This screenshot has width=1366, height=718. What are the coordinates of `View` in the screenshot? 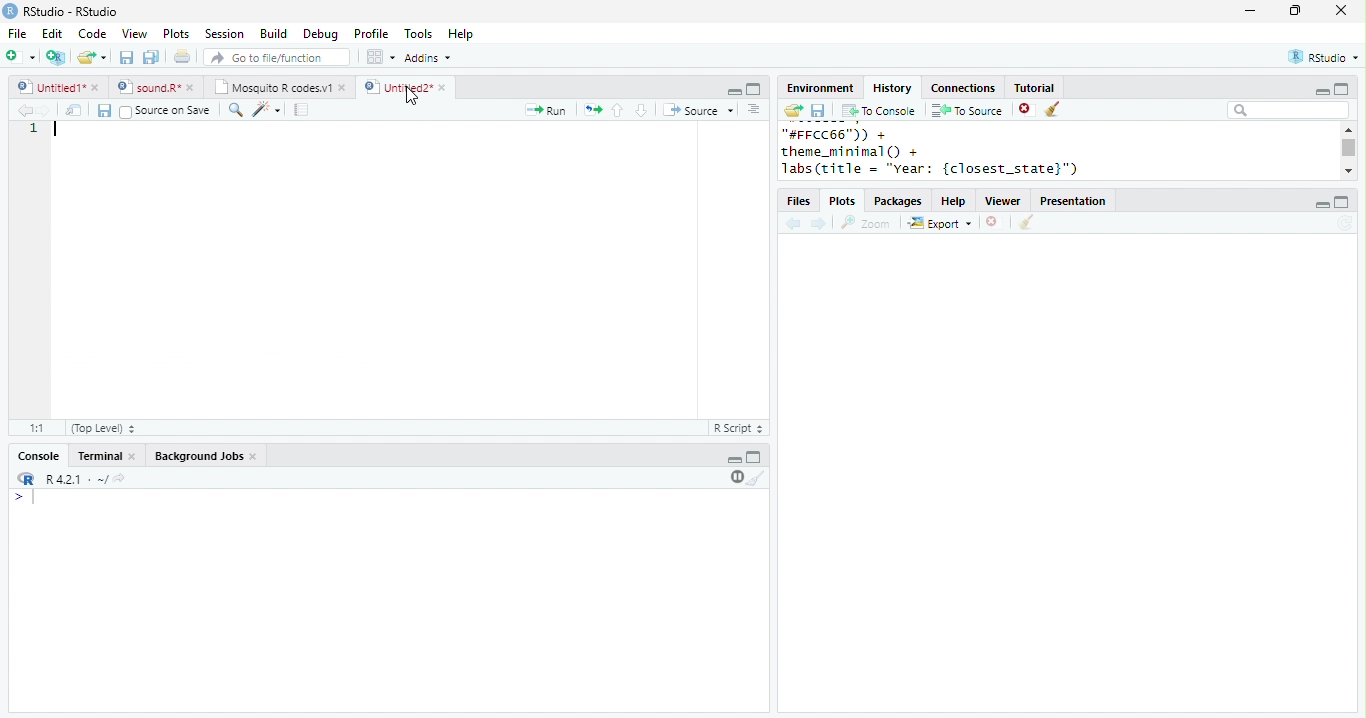 It's located at (134, 34).